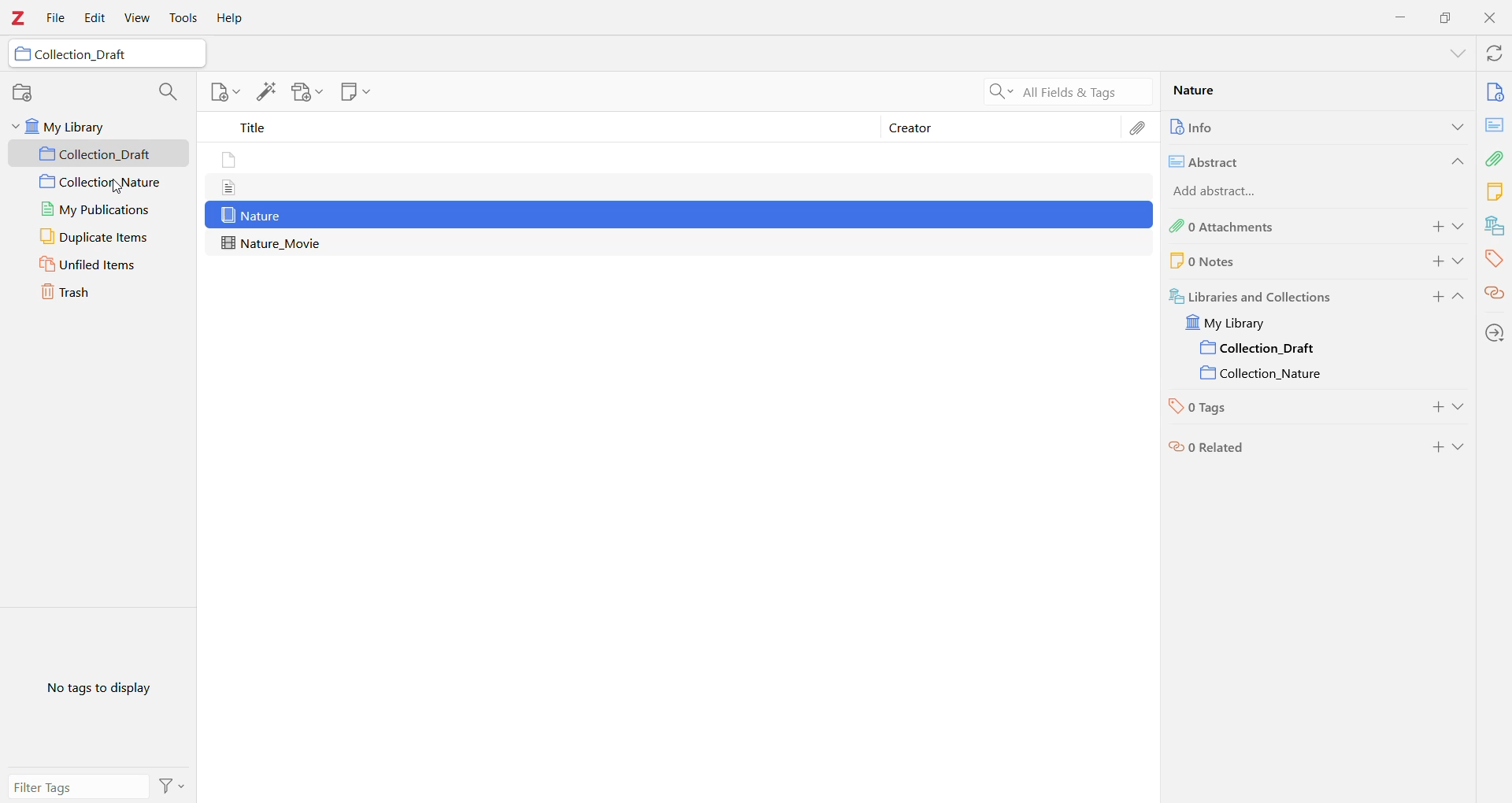 This screenshot has width=1512, height=803. What do you see at coordinates (1455, 161) in the screenshot?
I see `Collapse Section` at bounding box center [1455, 161].